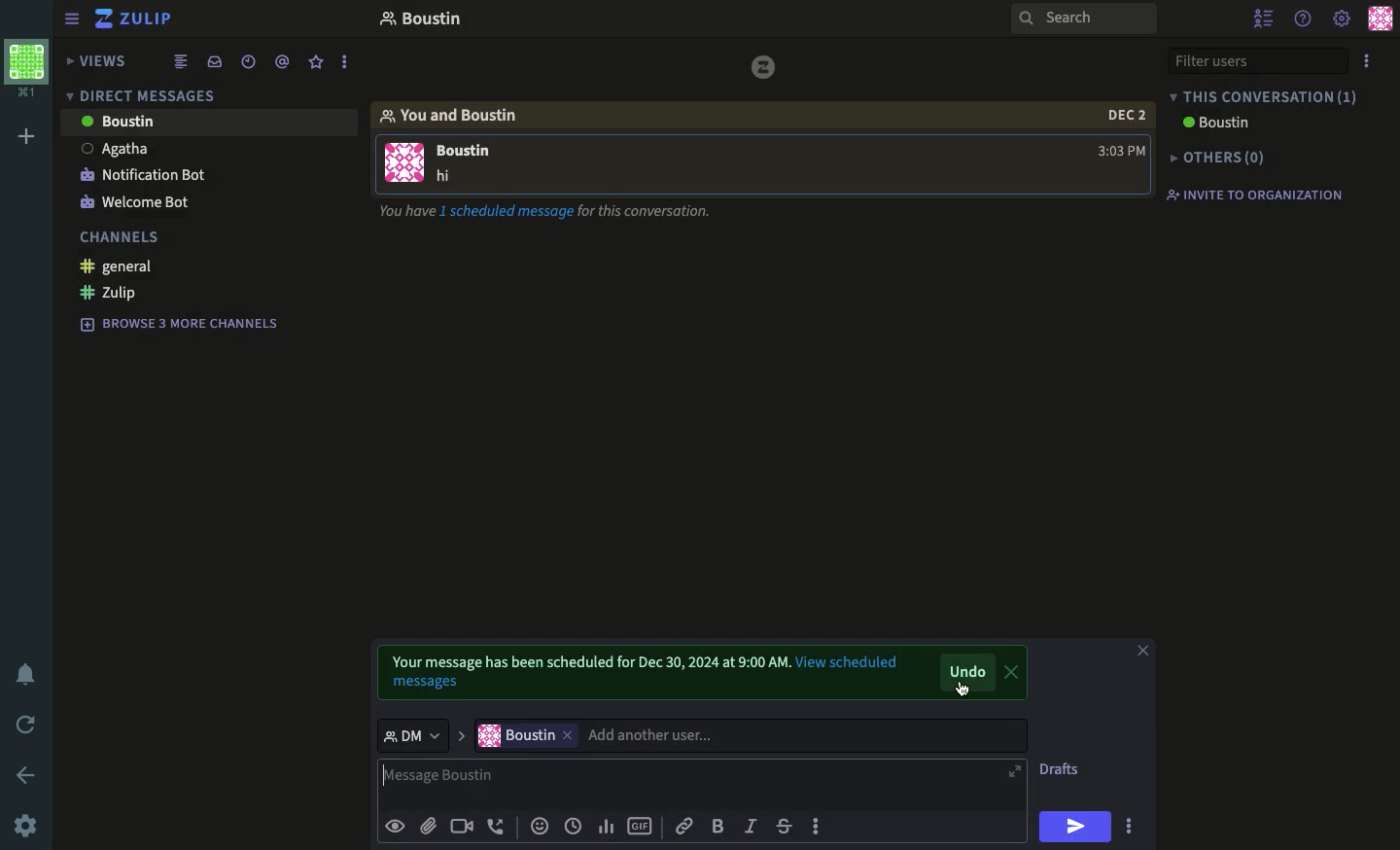 This screenshot has width=1400, height=850. Describe the element at coordinates (1220, 123) in the screenshot. I see `Boustin` at that location.